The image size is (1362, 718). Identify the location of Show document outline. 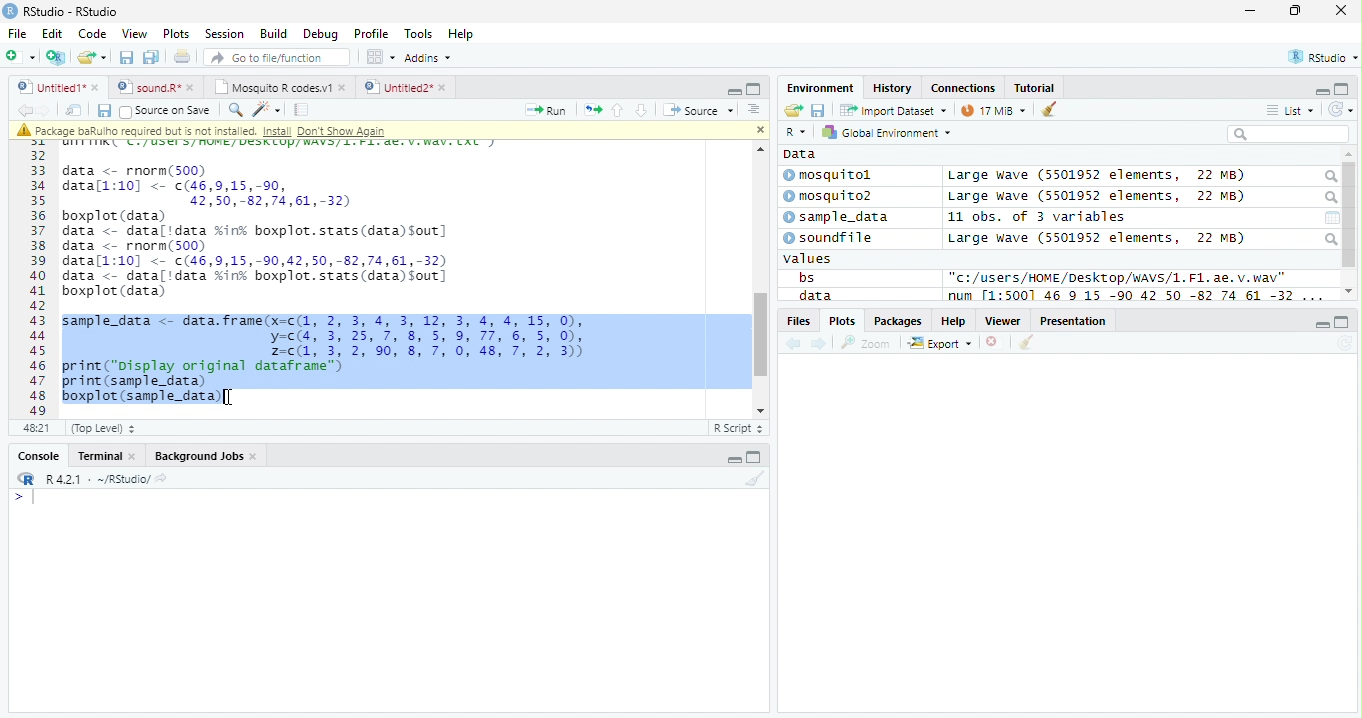
(753, 109).